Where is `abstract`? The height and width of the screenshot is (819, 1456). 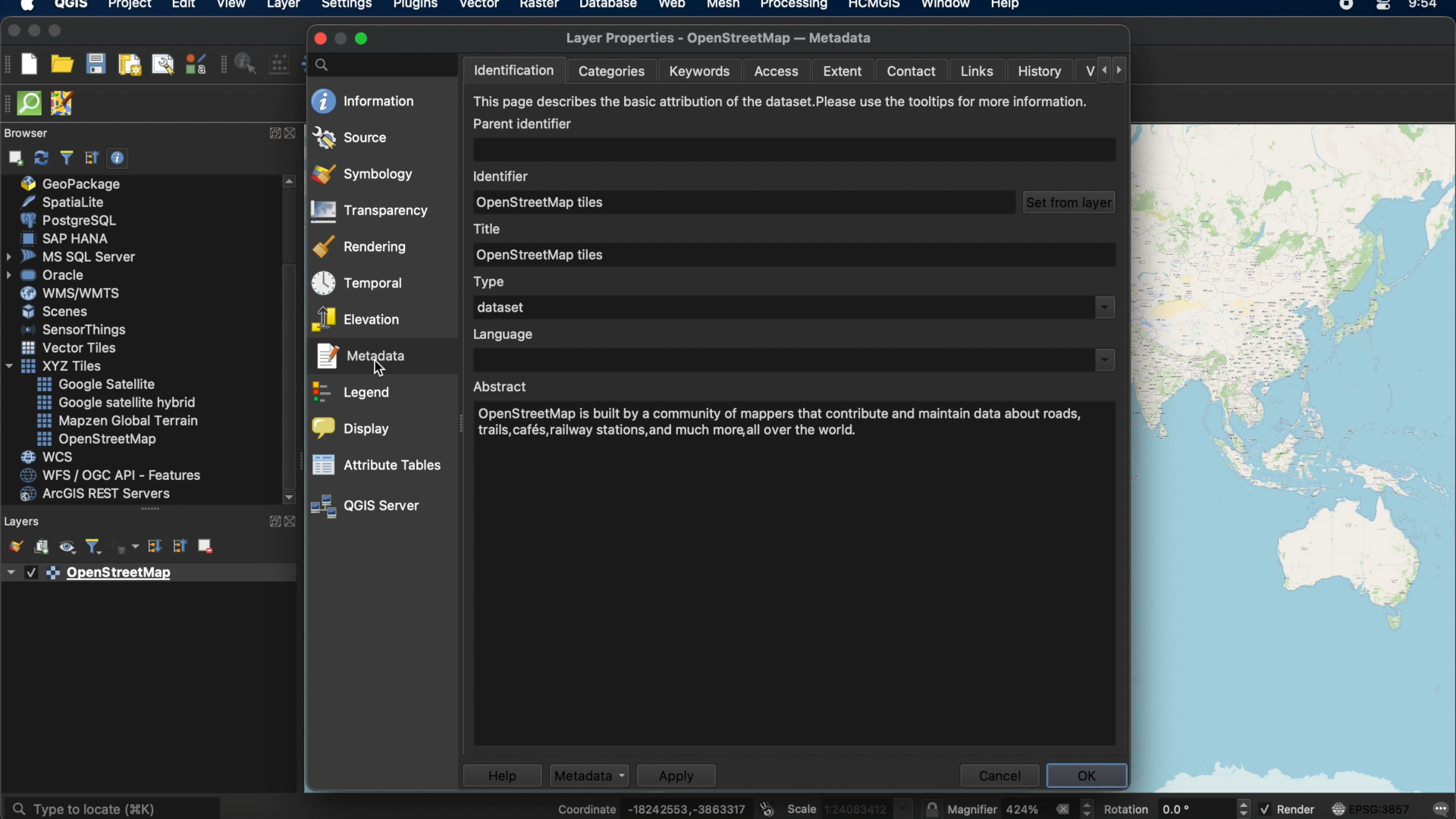 abstract is located at coordinates (504, 387).